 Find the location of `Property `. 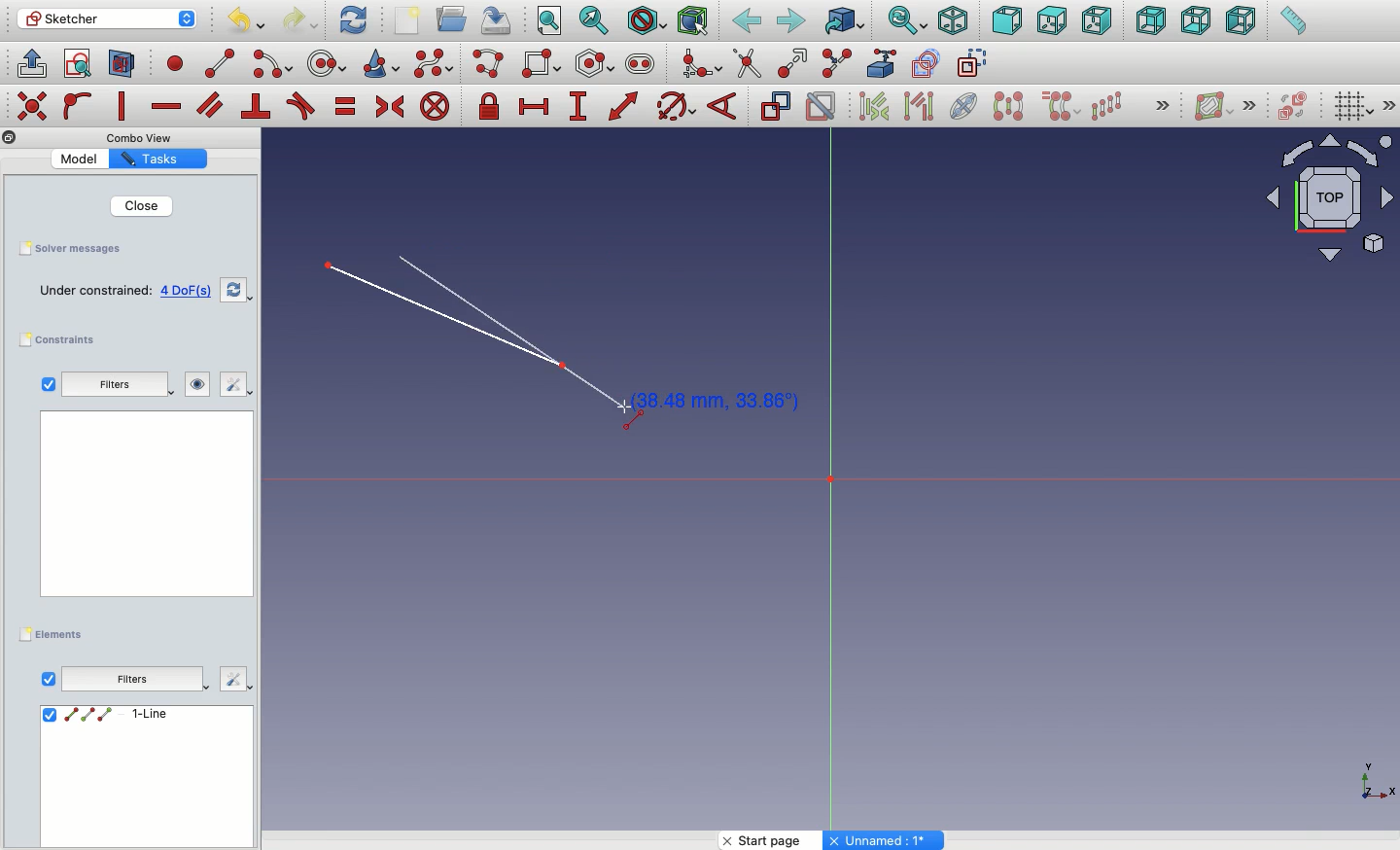

Property  is located at coordinates (157, 160).